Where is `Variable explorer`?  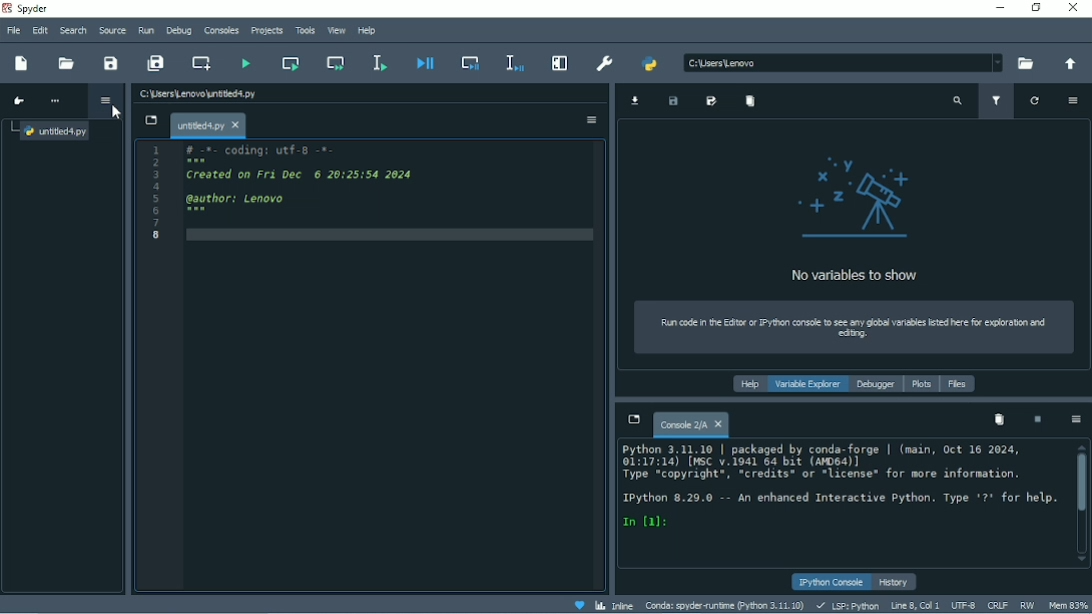
Variable explorer is located at coordinates (808, 385).